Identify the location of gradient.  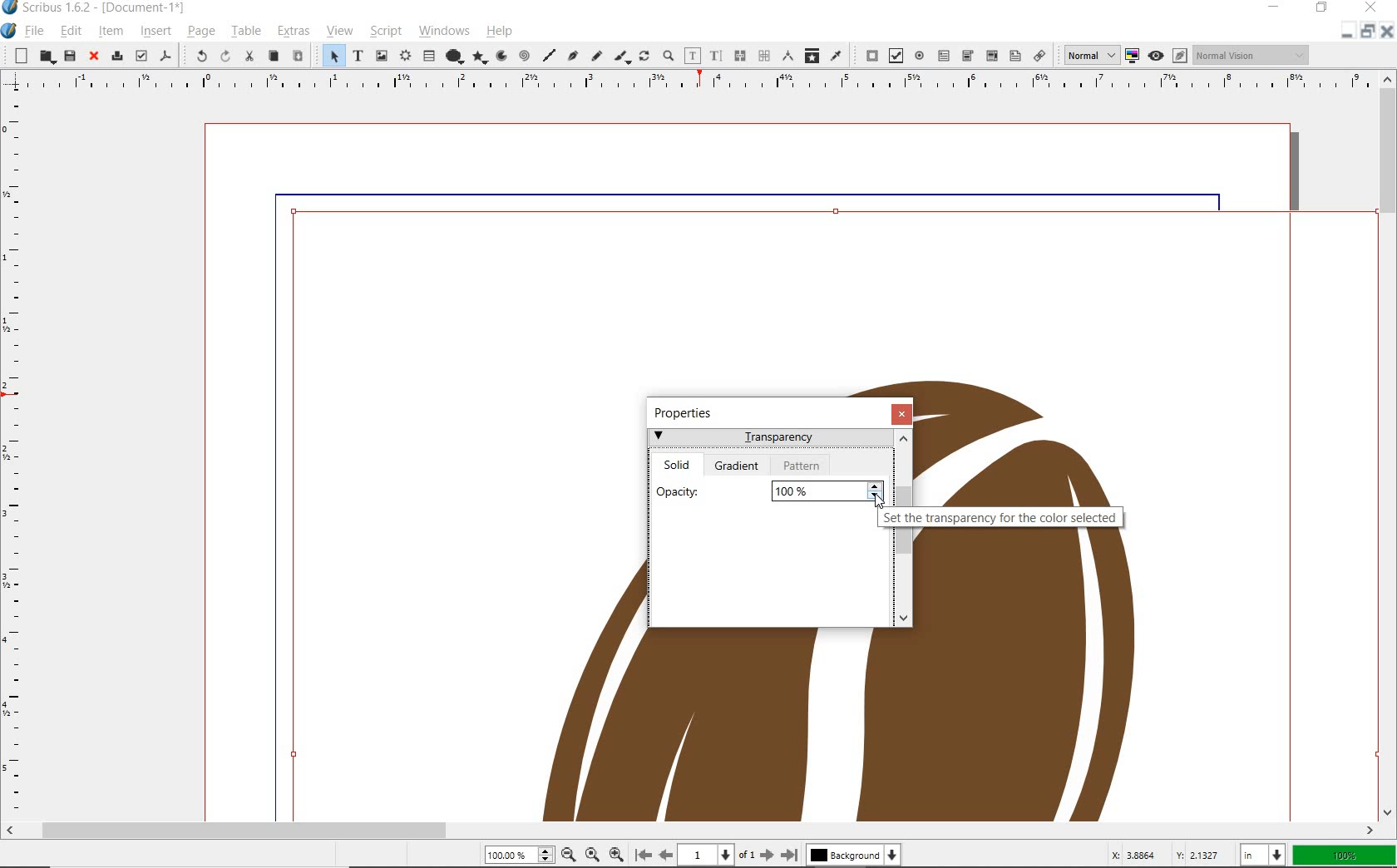
(739, 466).